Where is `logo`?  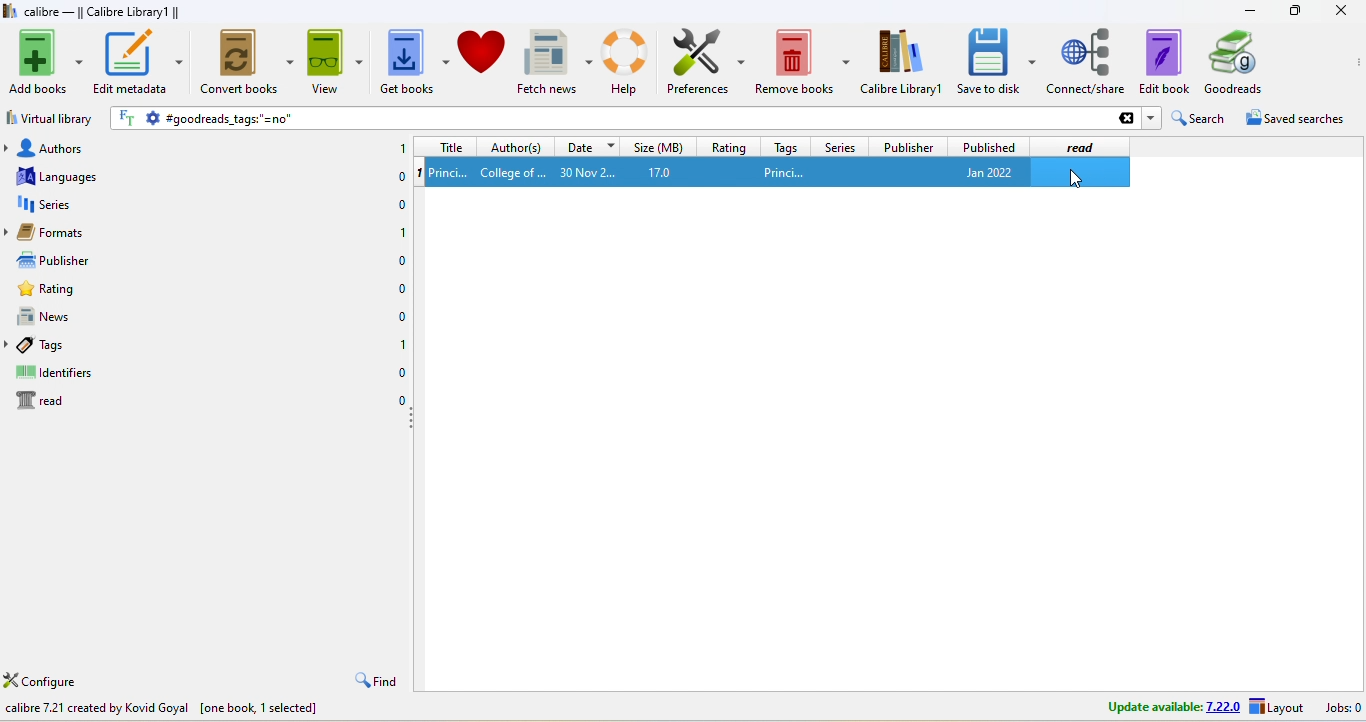
logo is located at coordinates (9, 10).